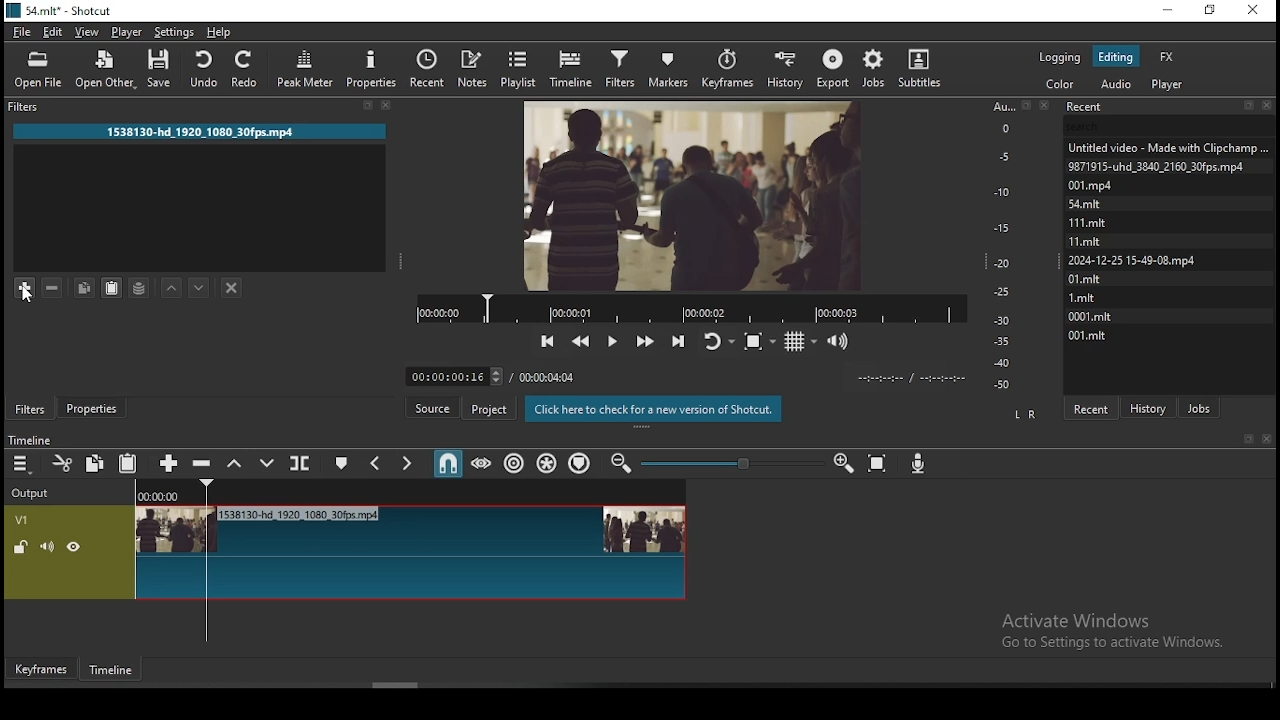 The width and height of the screenshot is (1280, 720). What do you see at coordinates (447, 374) in the screenshot?
I see `elapsed time` at bounding box center [447, 374].